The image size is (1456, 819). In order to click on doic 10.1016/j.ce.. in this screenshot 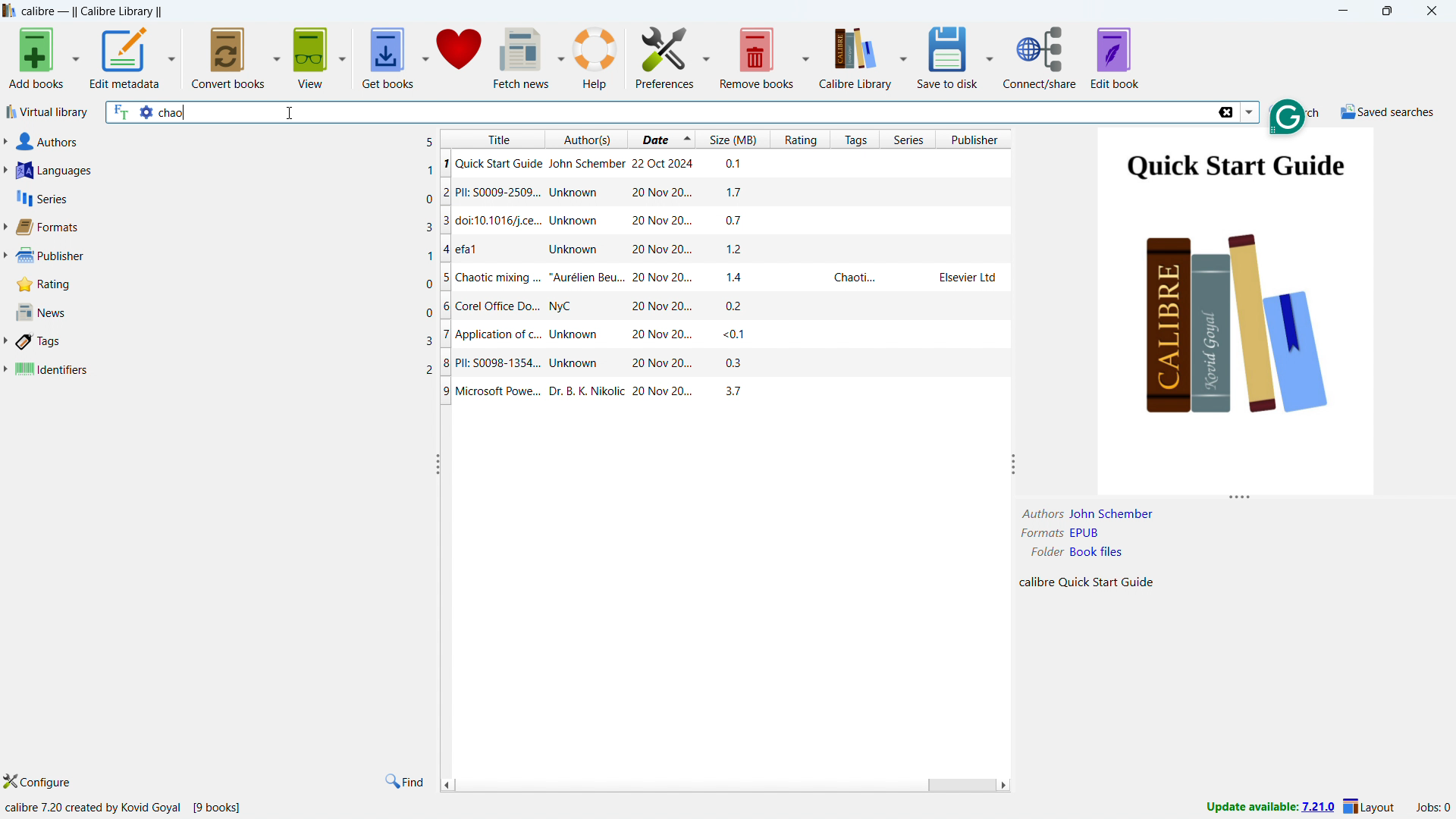, I will do `click(723, 224)`.